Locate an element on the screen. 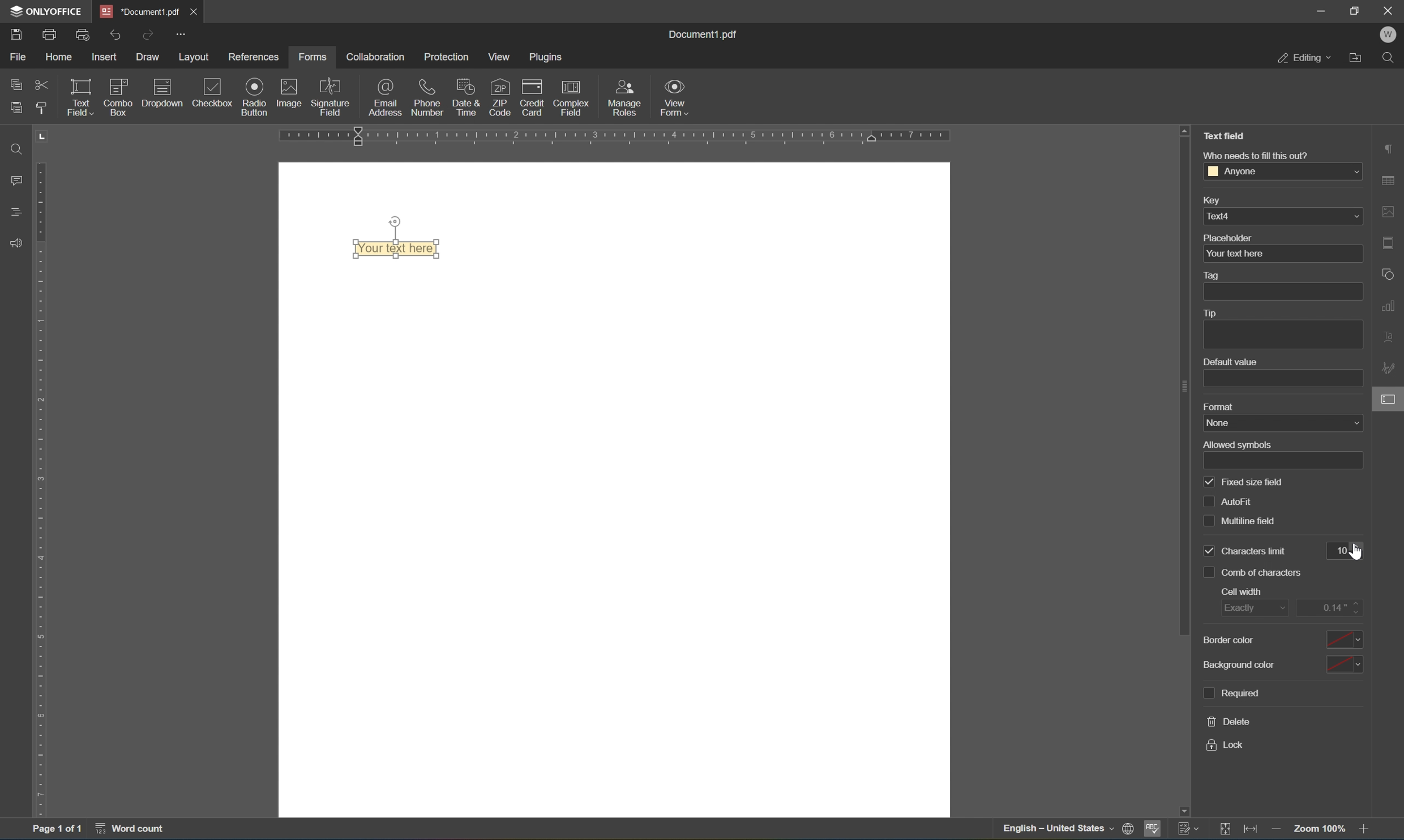 Image resolution: width=1404 pixels, height=840 pixels. Close is located at coordinates (194, 11).